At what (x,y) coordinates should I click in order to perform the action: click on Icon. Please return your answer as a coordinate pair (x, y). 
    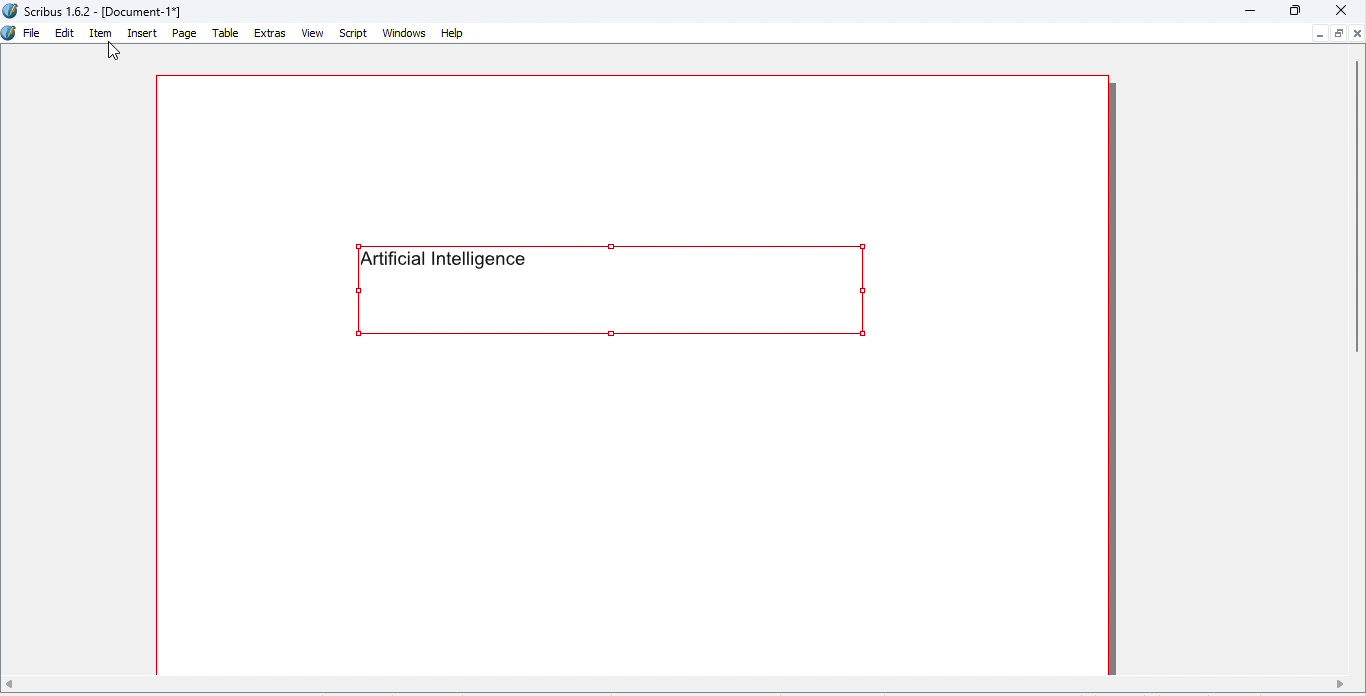
    Looking at the image, I should click on (9, 34).